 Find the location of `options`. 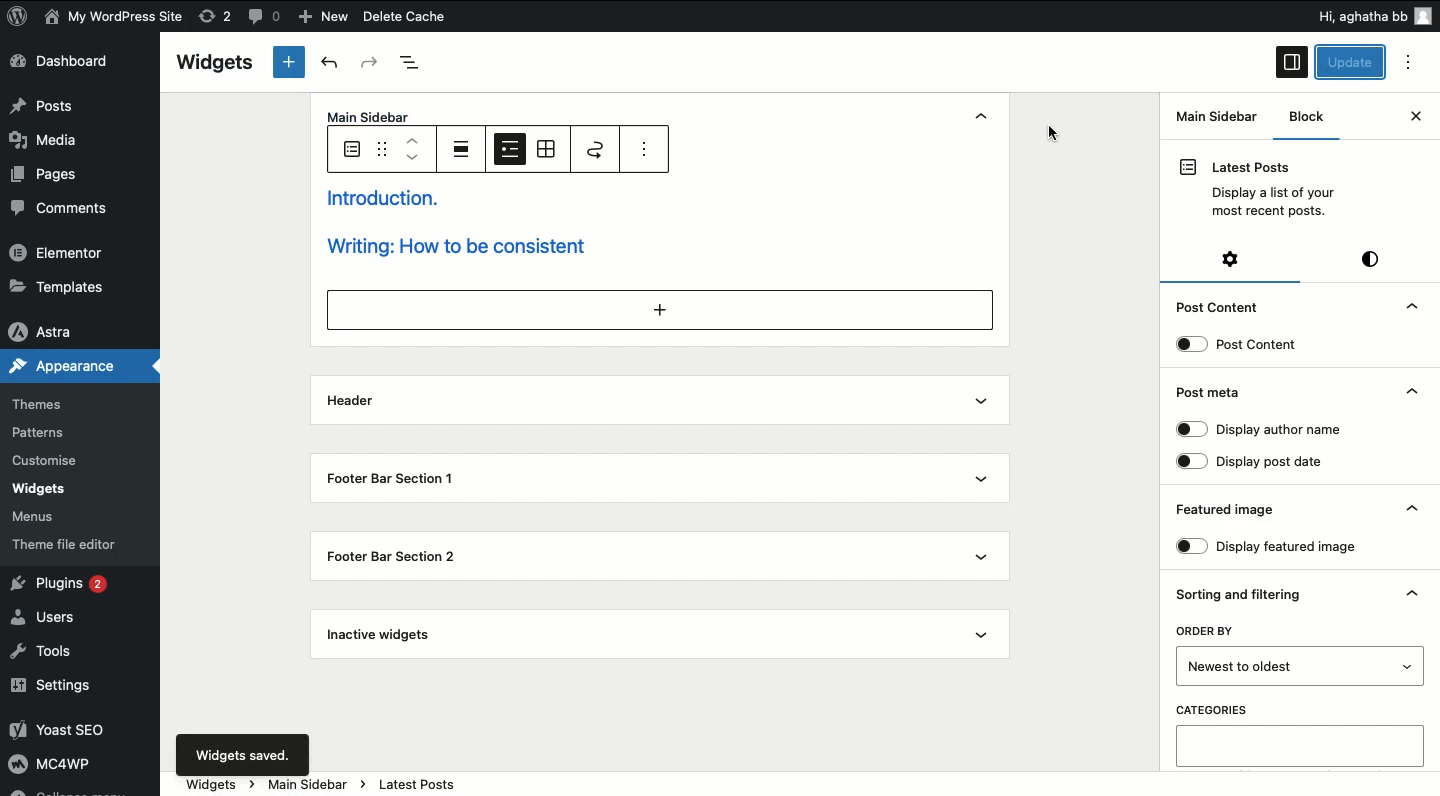

options is located at coordinates (1407, 62).